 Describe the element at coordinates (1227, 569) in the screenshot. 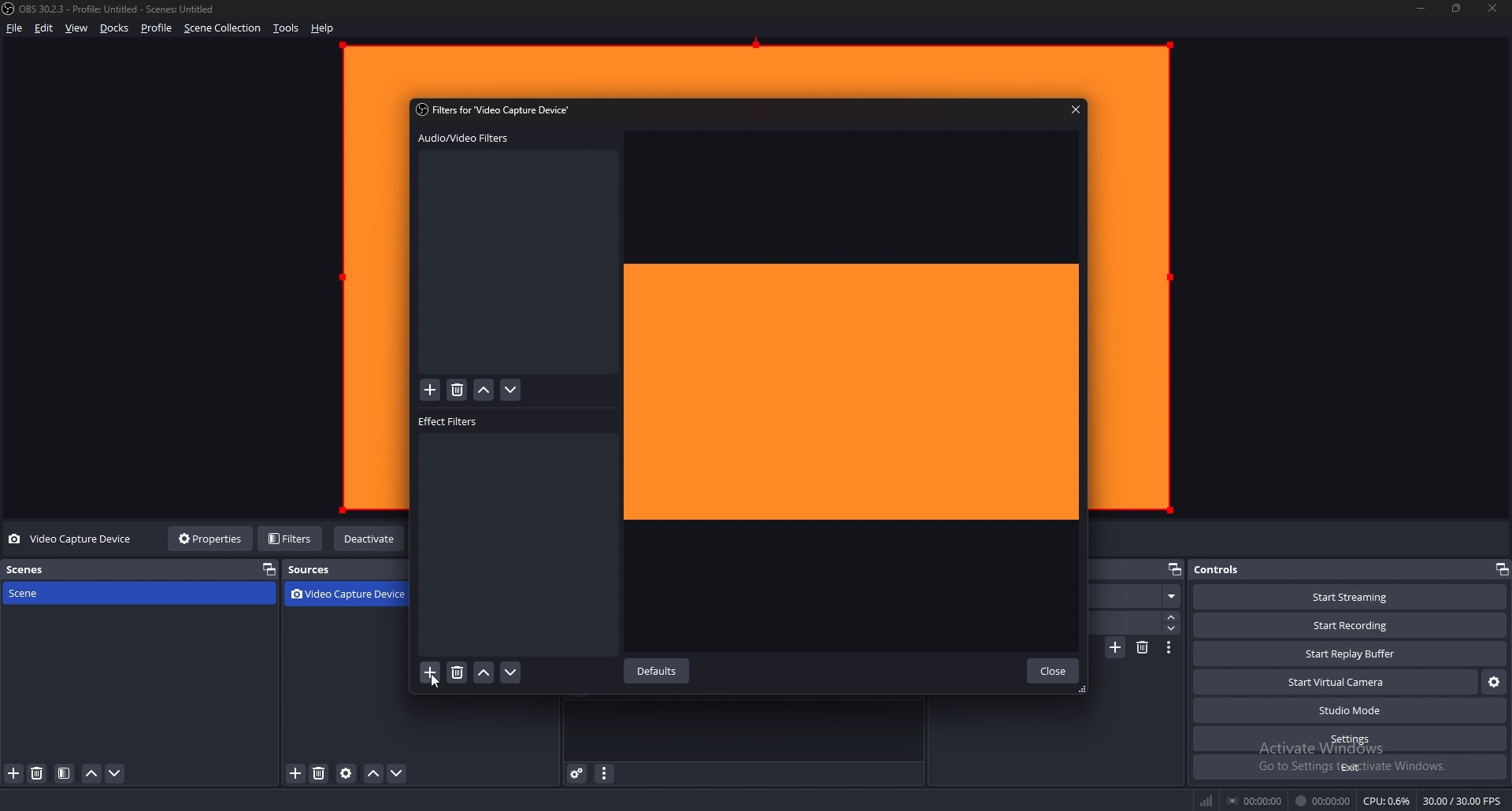

I see `controls` at that location.